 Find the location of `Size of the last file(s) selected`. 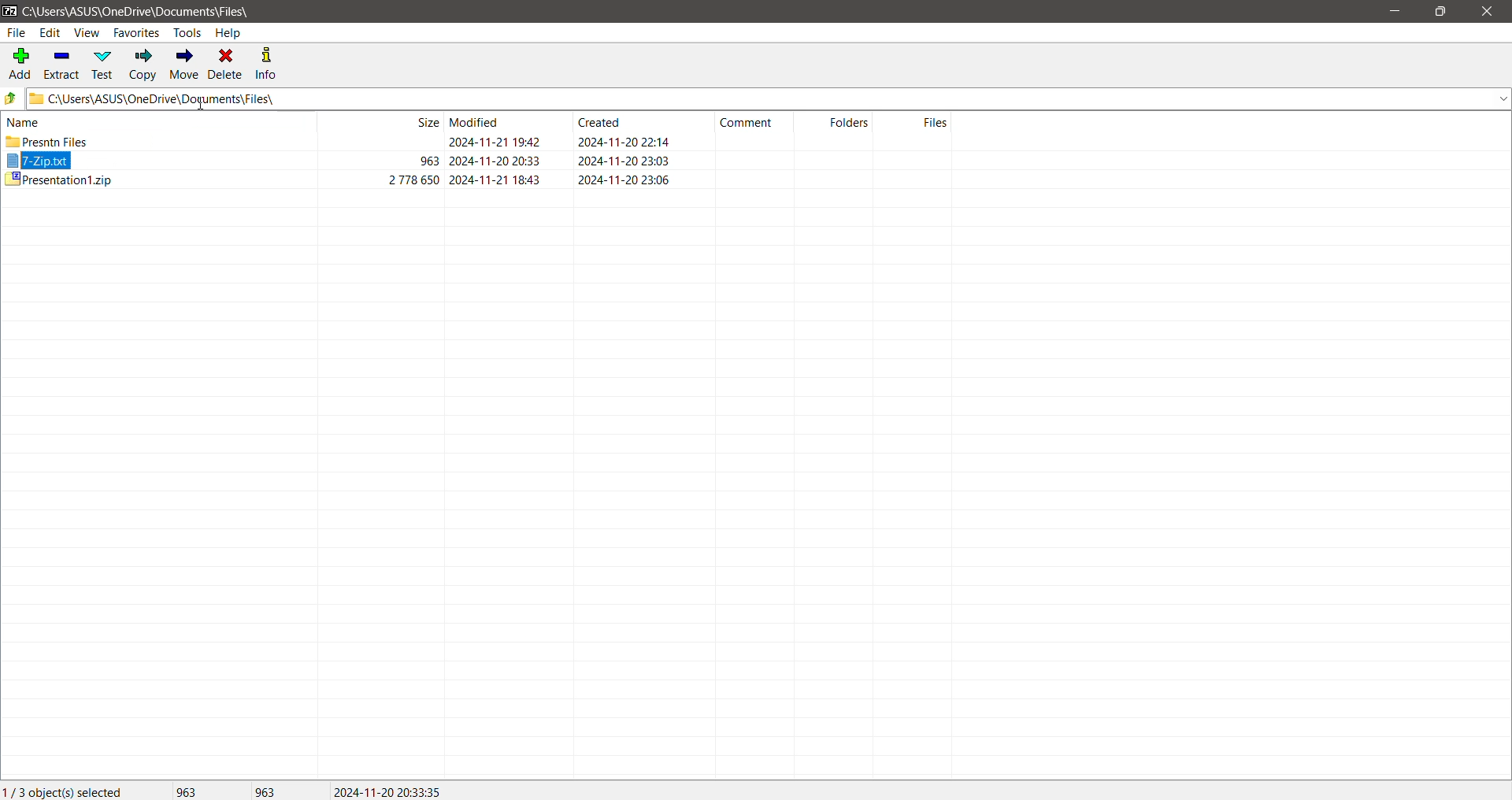

Size of the last file(s) selected is located at coordinates (266, 791).